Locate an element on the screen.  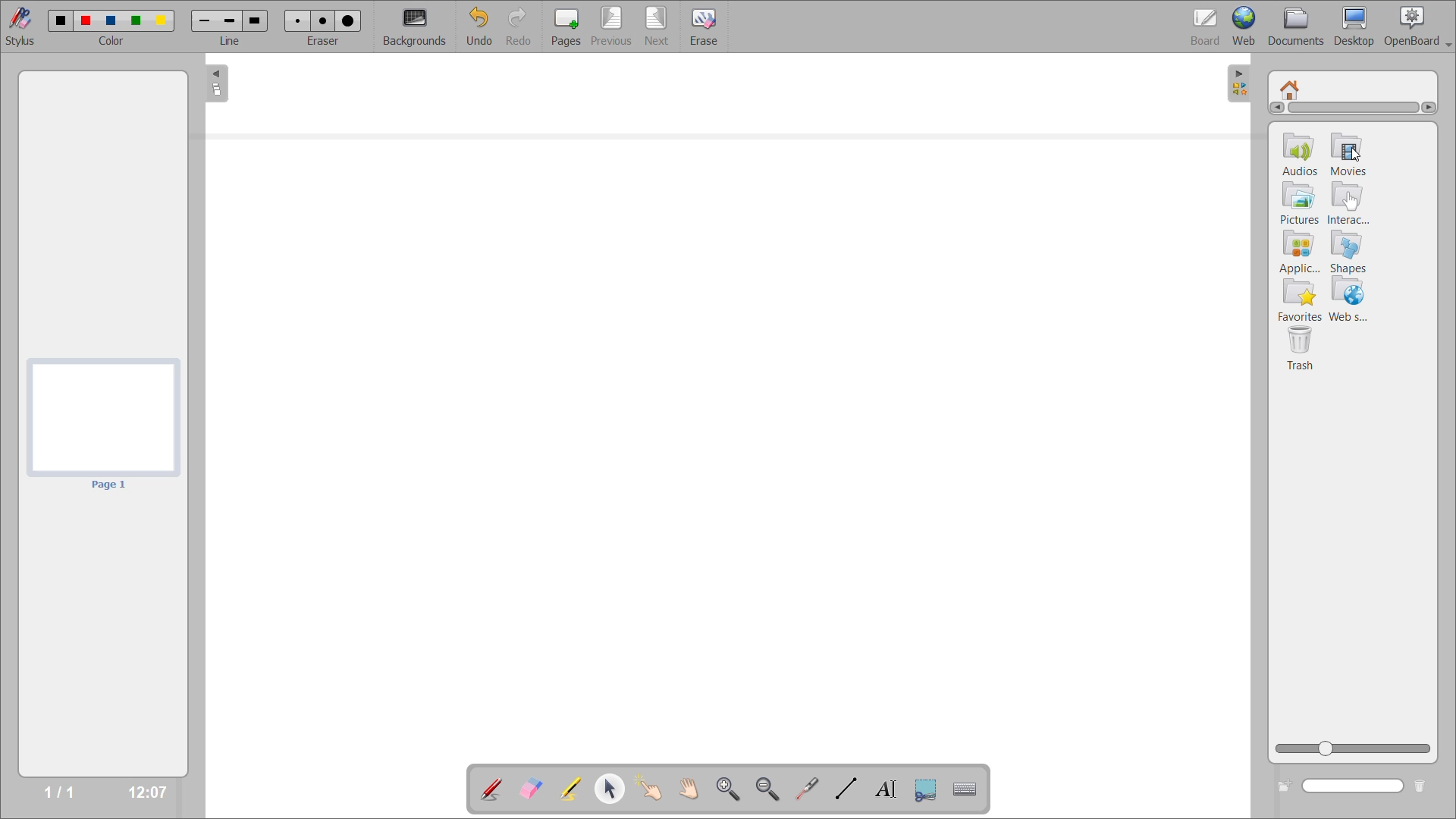
shapes is located at coordinates (1350, 254).